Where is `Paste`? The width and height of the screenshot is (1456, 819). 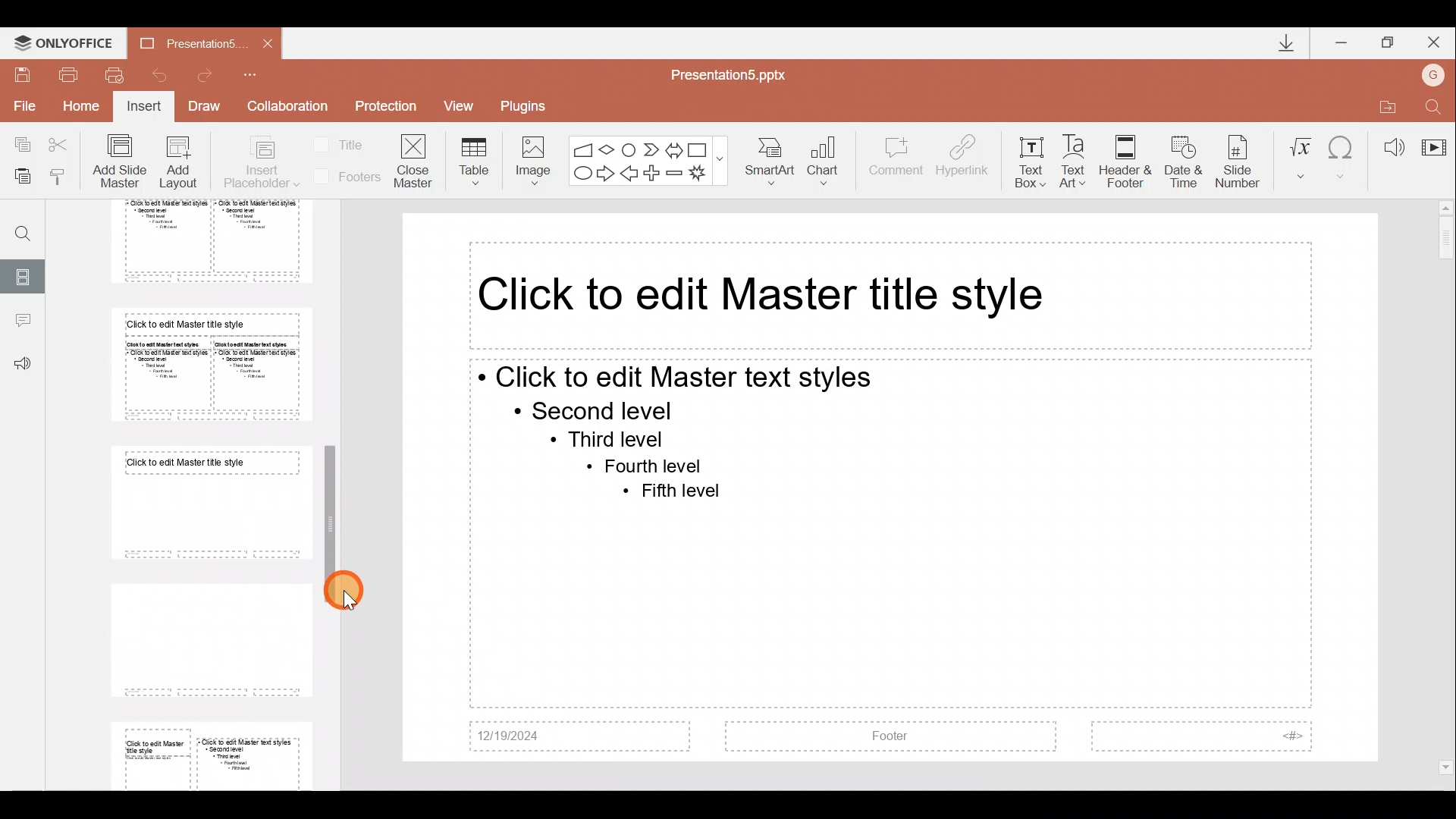
Paste is located at coordinates (22, 178).